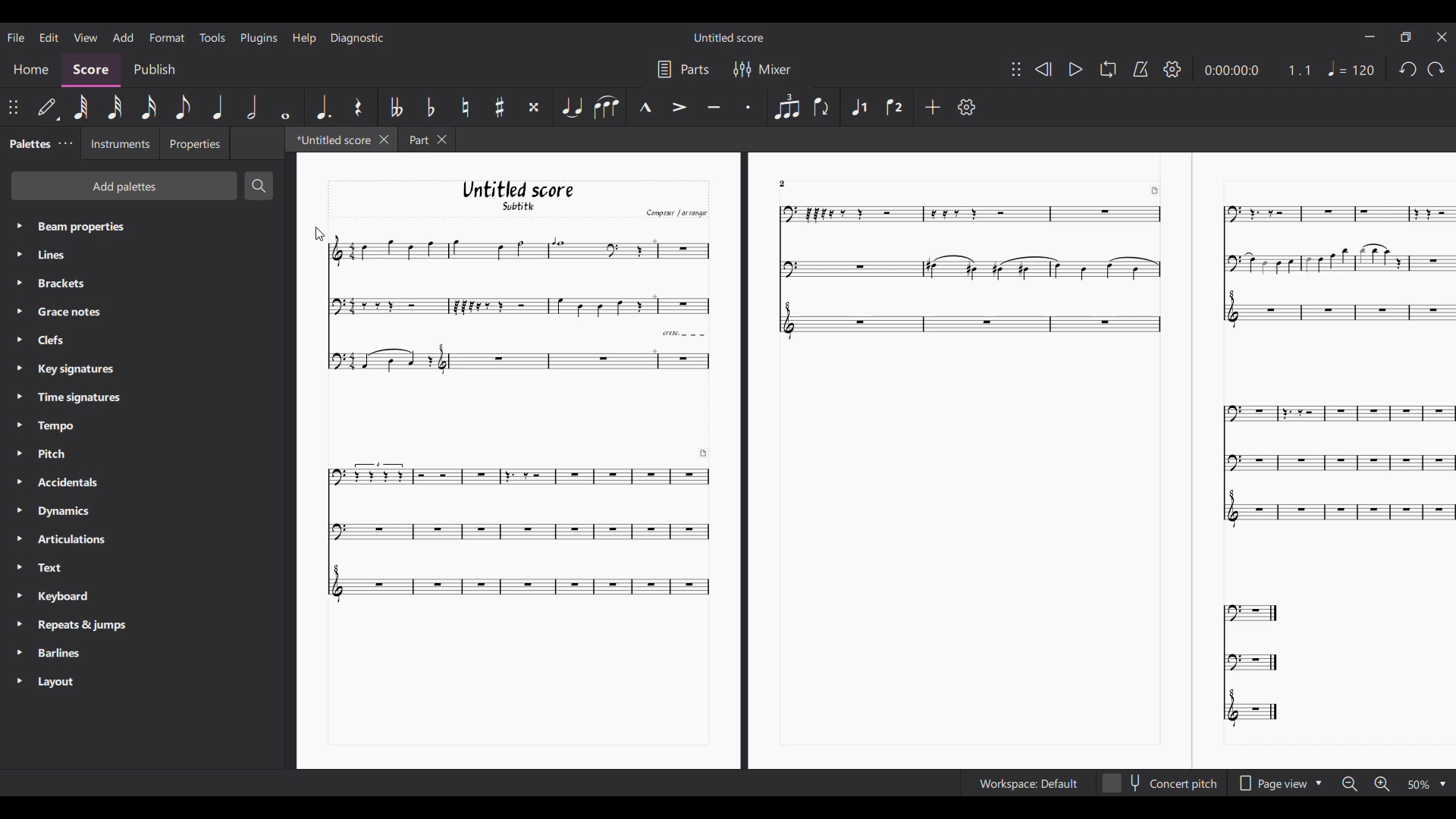 This screenshot has height=819, width=1456. I want to click on , so click(17, 512).